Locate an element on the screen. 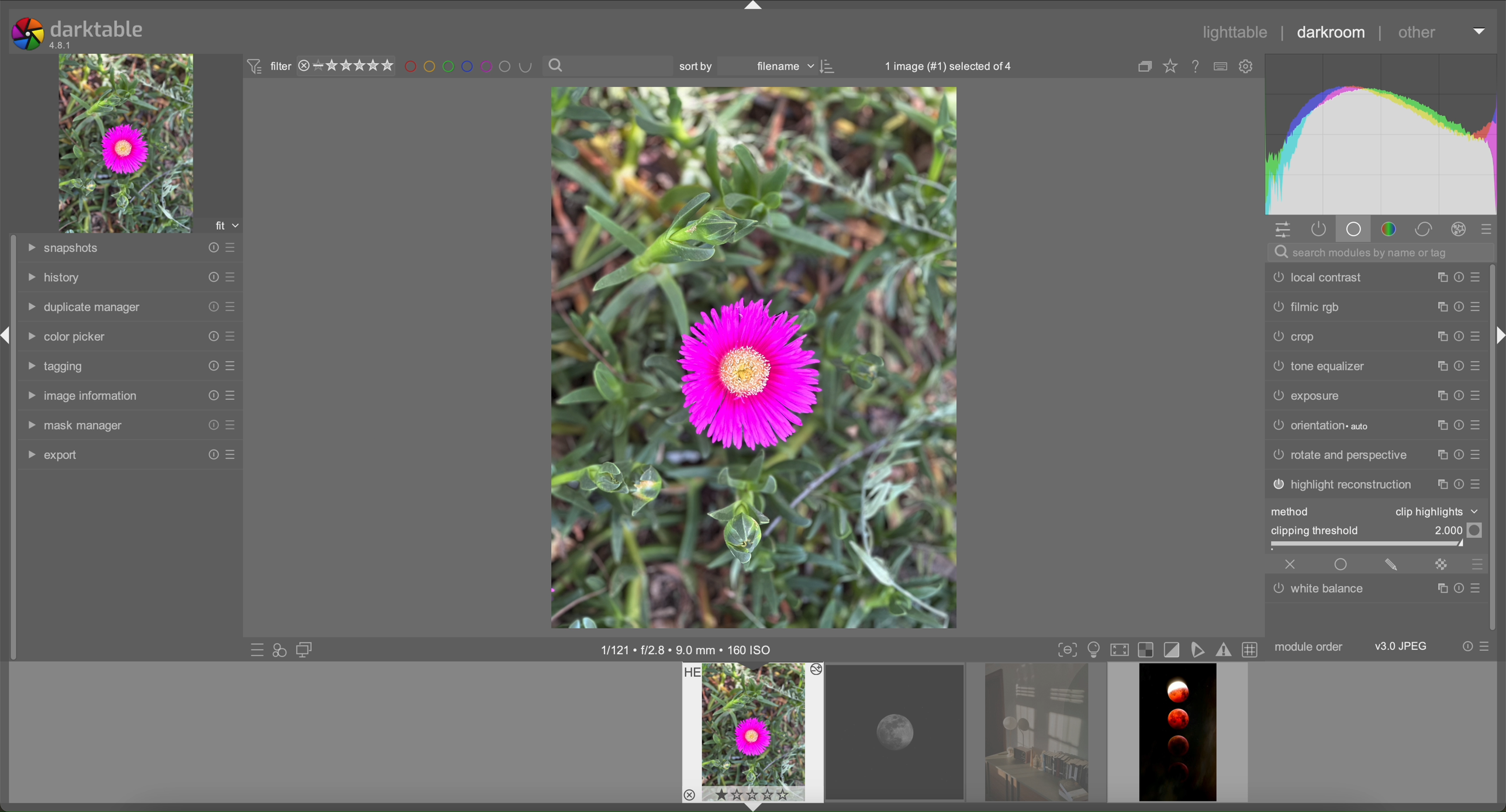 The image size is (1506, 812). reset presets is located at coordinates (210, 366).